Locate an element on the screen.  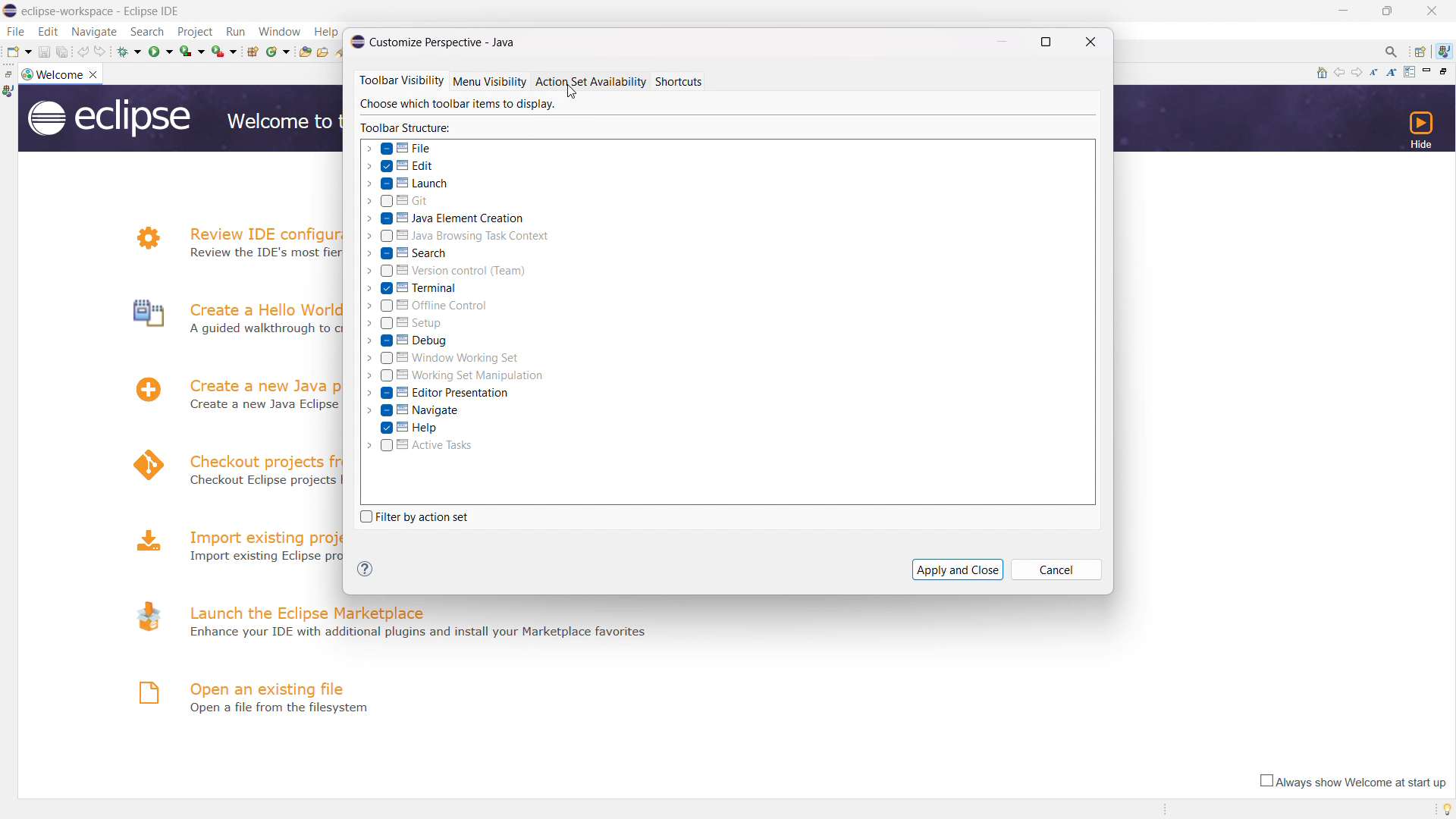
a | Choose which toolbar items to display. is located at coordinates (458, 104).